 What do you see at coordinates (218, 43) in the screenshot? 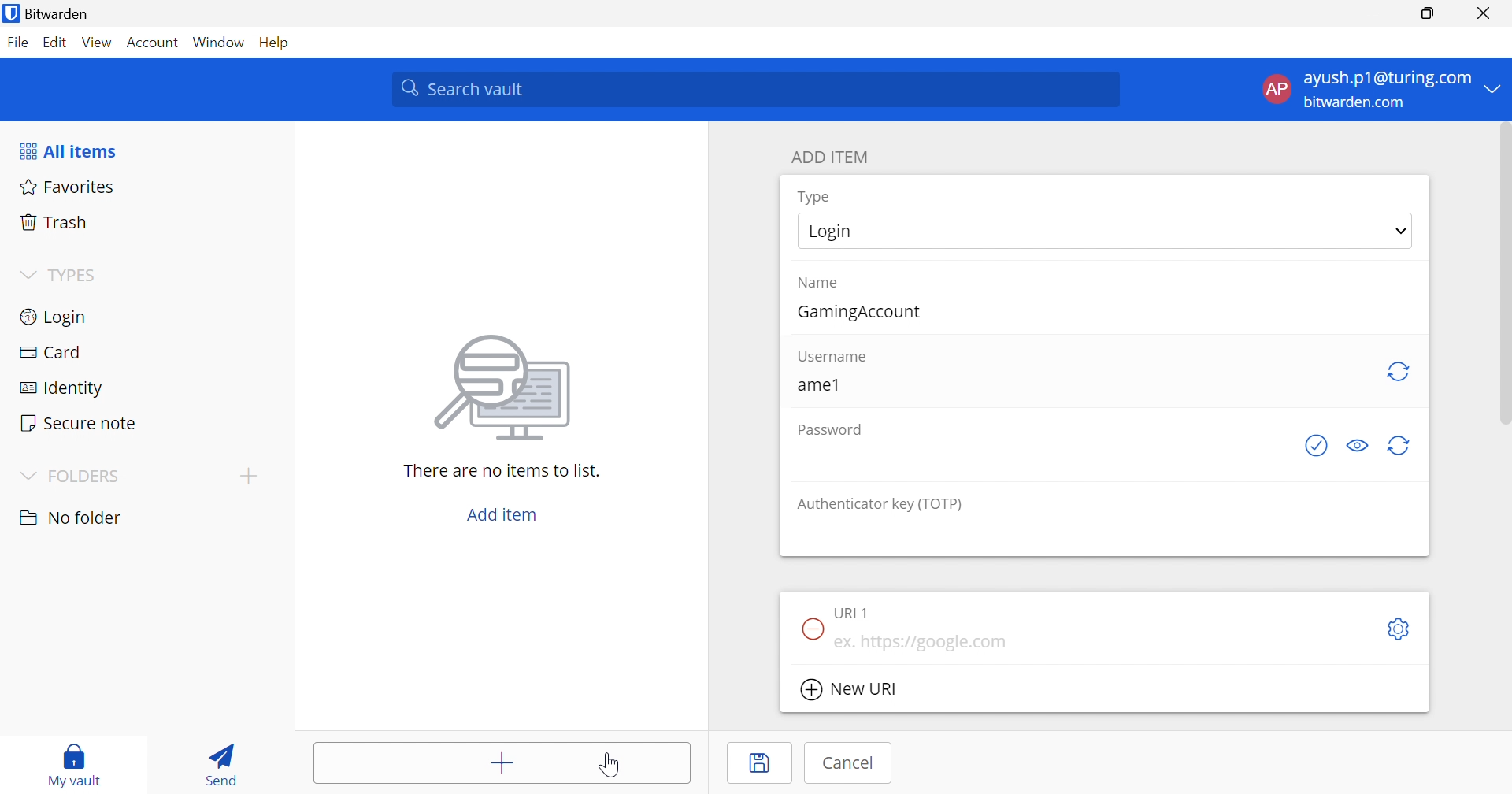
I see `Window` at bounding box center [218, 43].